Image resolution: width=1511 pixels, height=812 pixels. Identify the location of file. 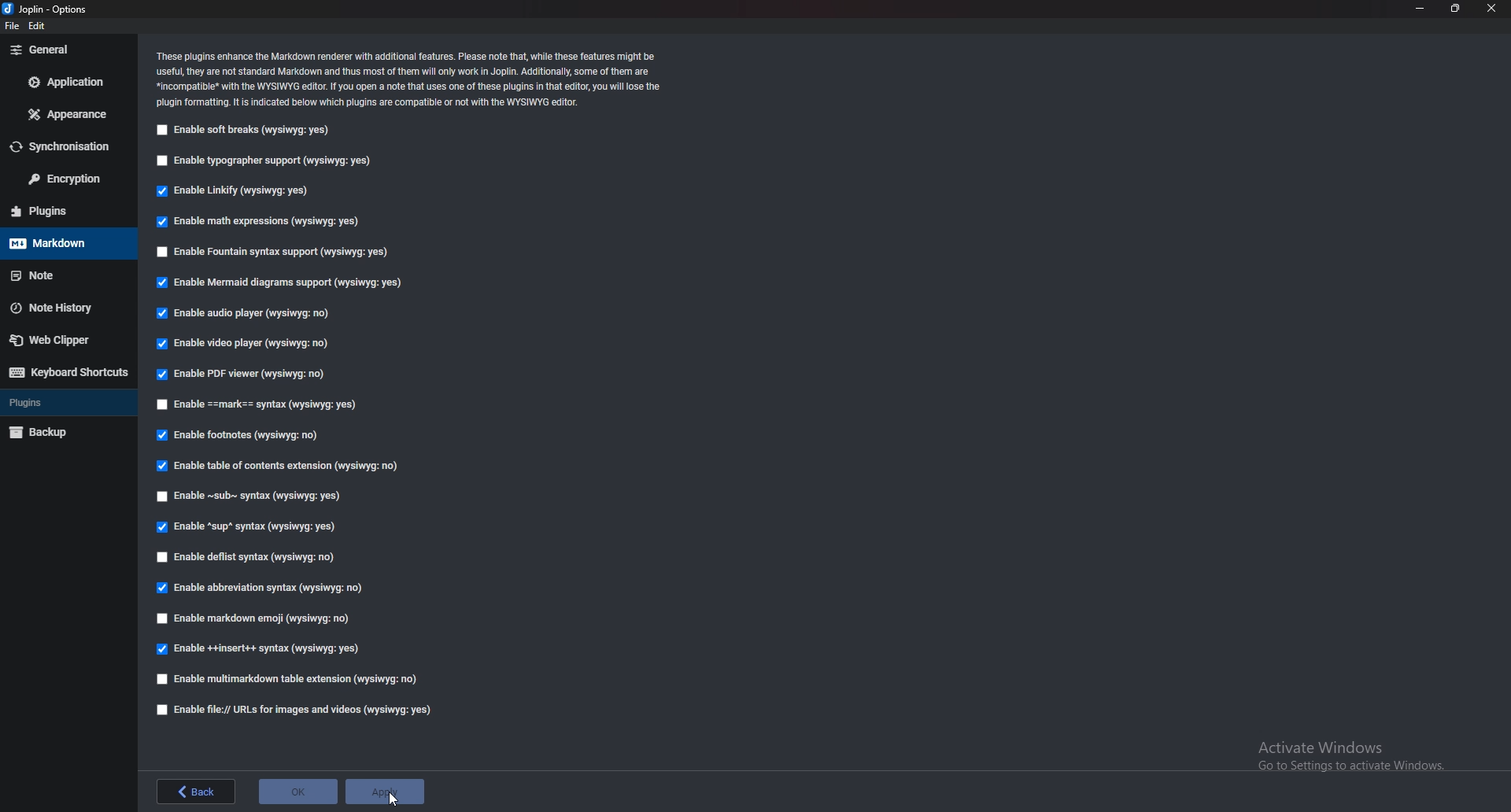
(12, 28).